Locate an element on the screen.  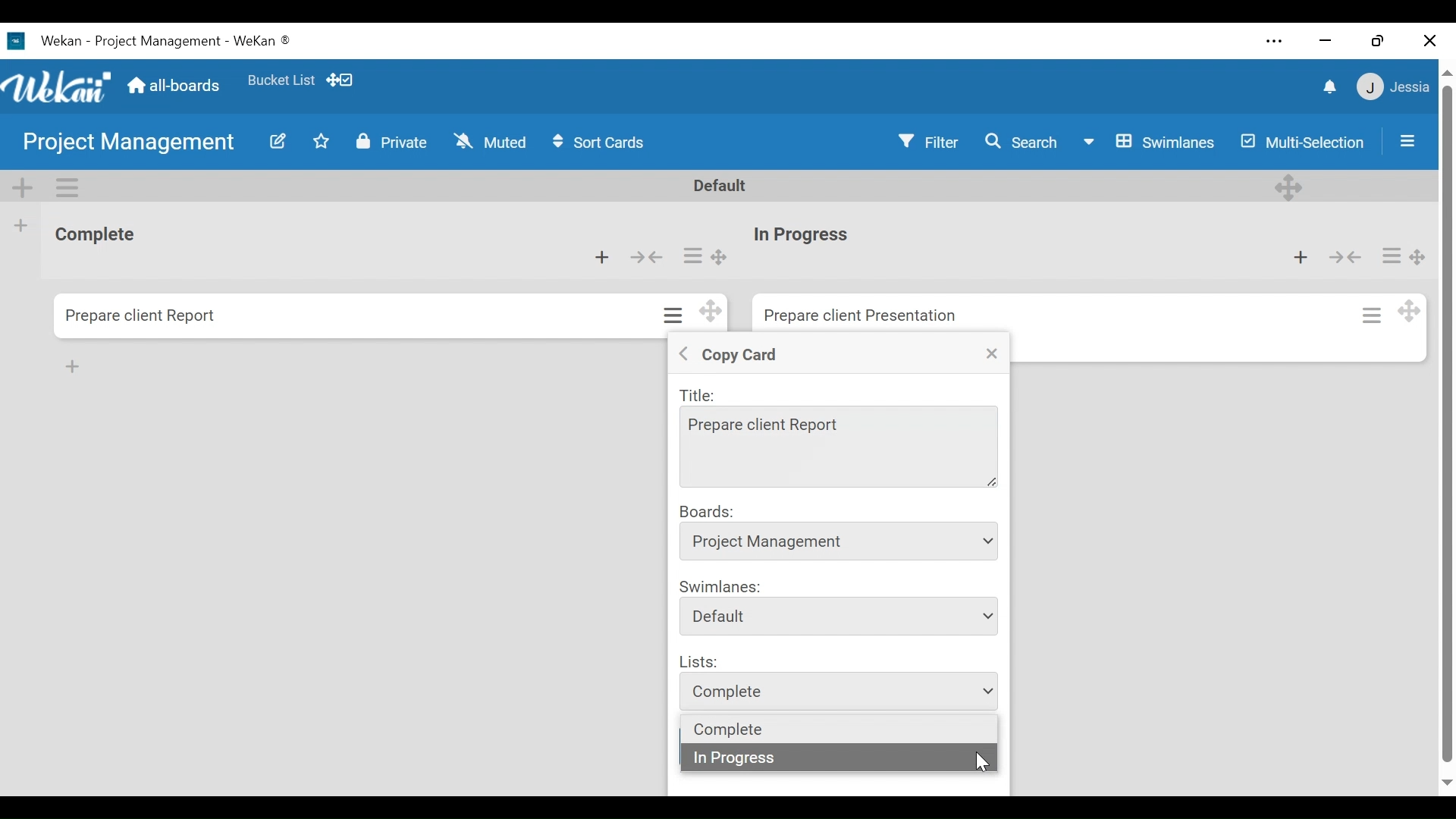
Close is located at coordinates (993, 354).